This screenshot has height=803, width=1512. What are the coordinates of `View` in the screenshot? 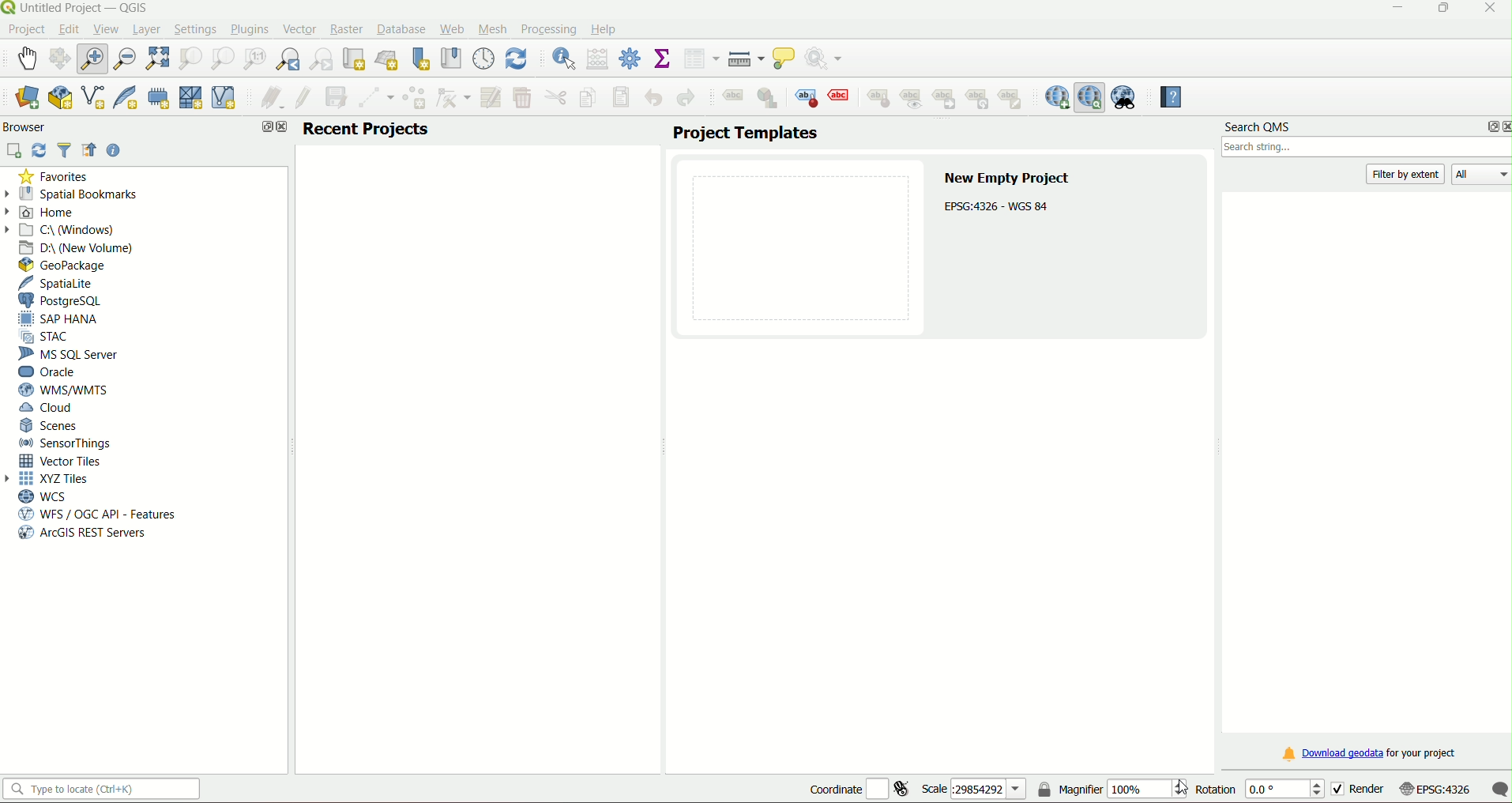 It's located at (104, 28).